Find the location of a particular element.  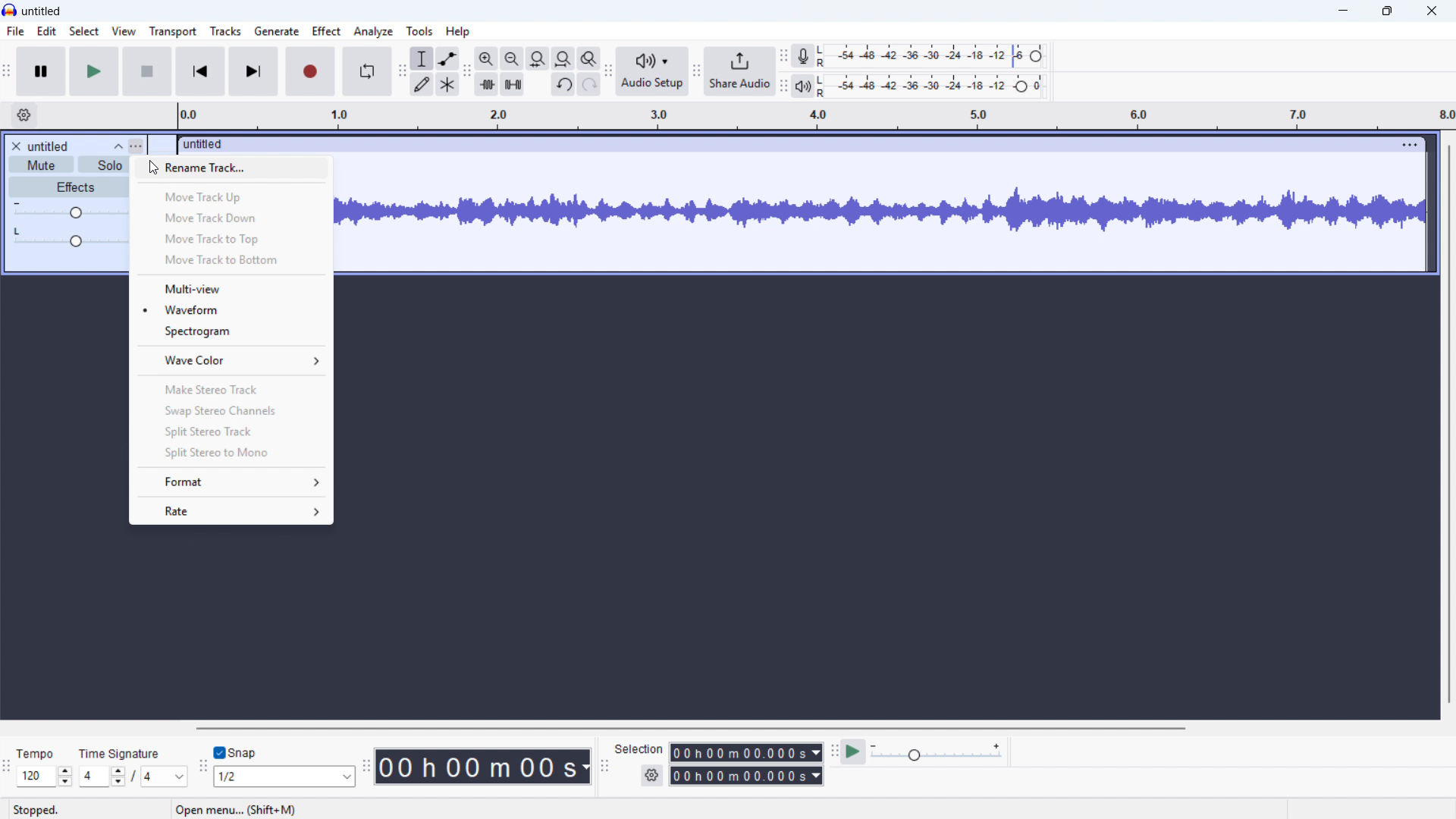

Click to drag  is located at coordinates (785, 145).